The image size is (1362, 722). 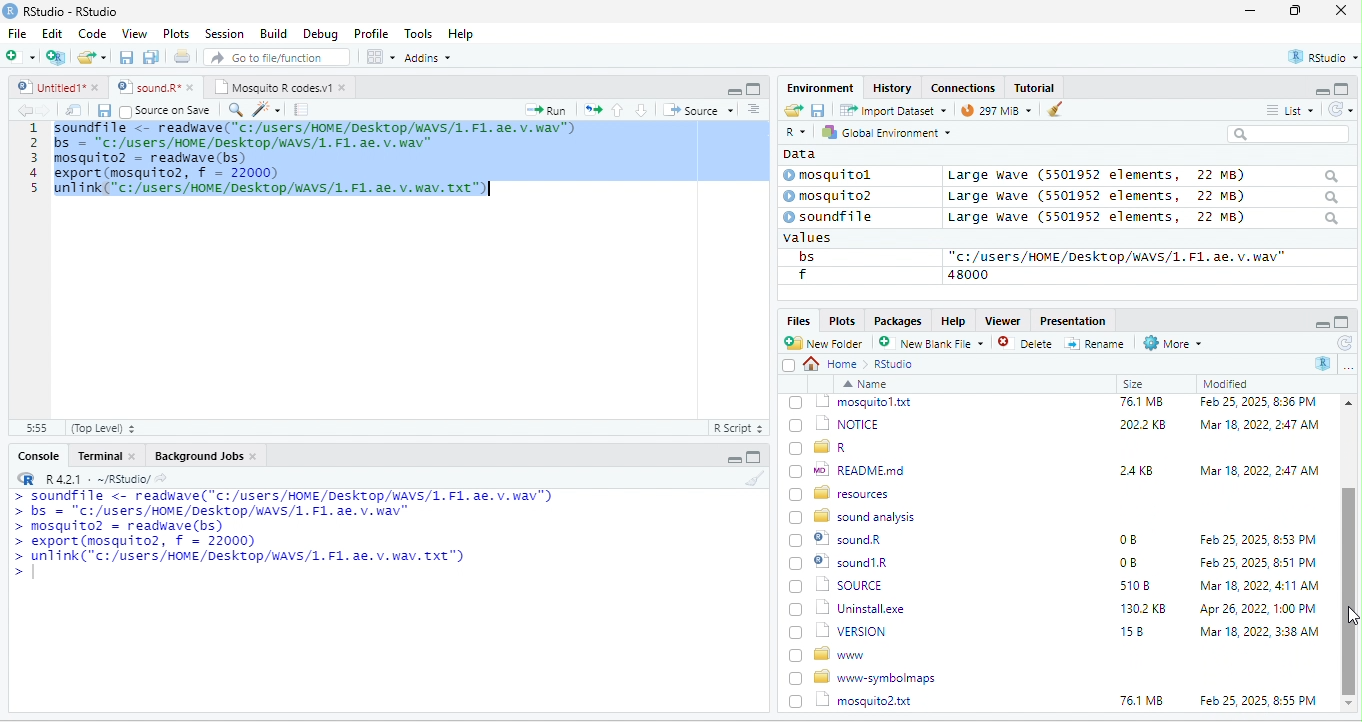 What do you see at coordinates (1121, 426) in the screenshot?
I see `0B` at bounding box center [1121, 426].